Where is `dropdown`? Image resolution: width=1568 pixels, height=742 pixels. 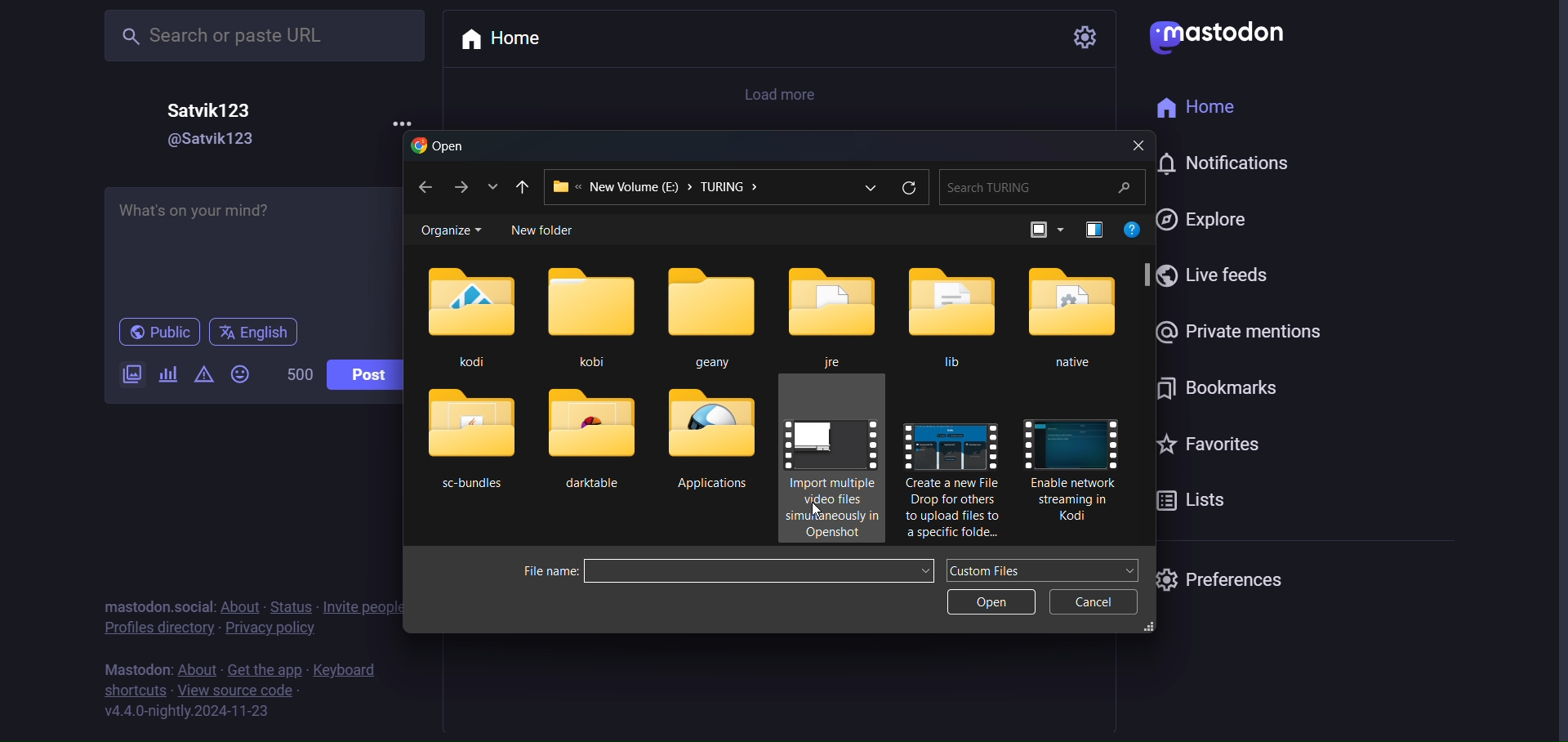 dropdown is located at coordinates (871, 190).